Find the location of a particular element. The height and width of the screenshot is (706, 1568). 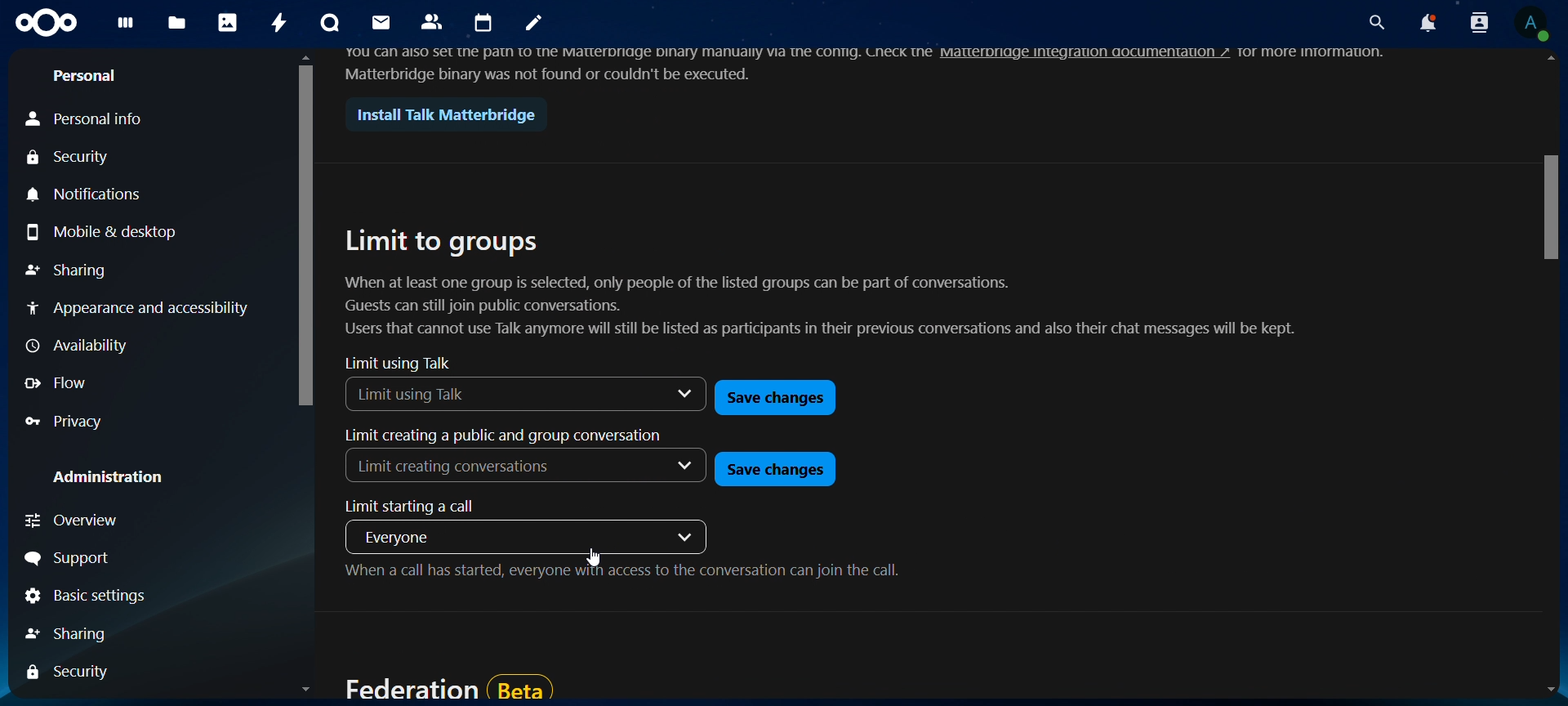

Basic settings is located at coordinates (87, 597).